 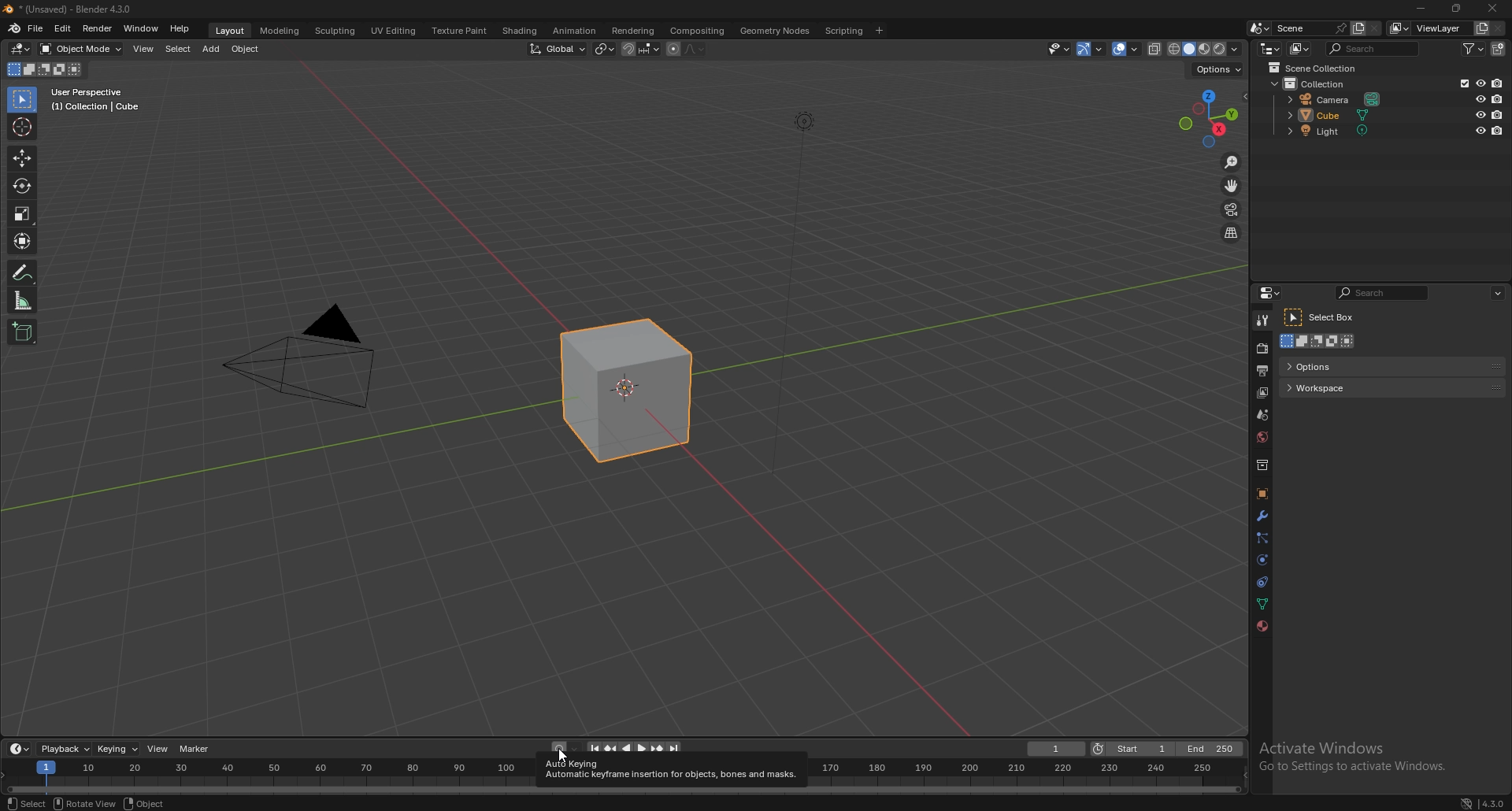 What do you see at coordinates (24, 241) in the screenshot?
I see `transform` at bounding box center [24, 241].